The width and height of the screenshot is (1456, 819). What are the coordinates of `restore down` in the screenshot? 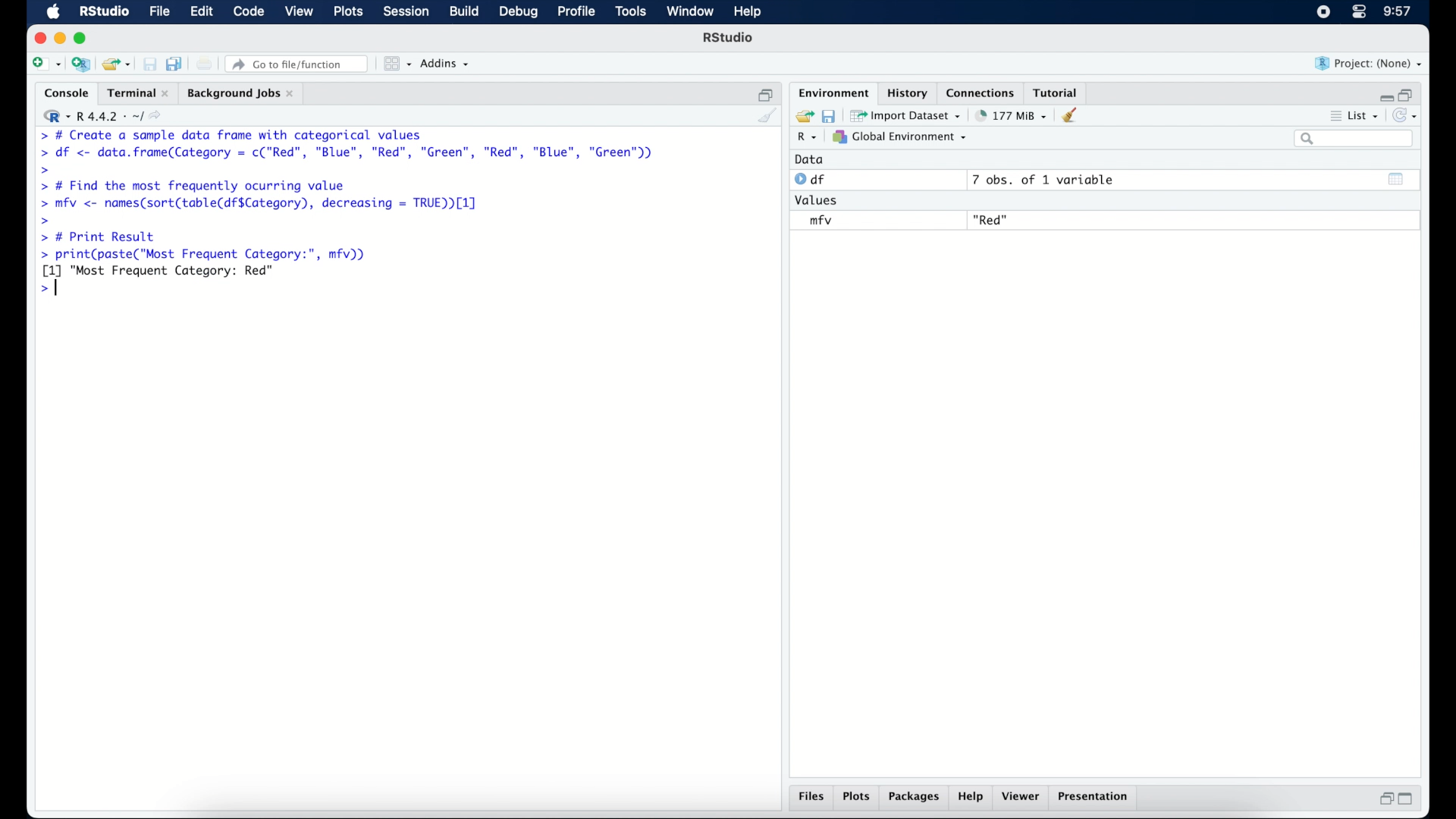 It's located at (1384, 799).